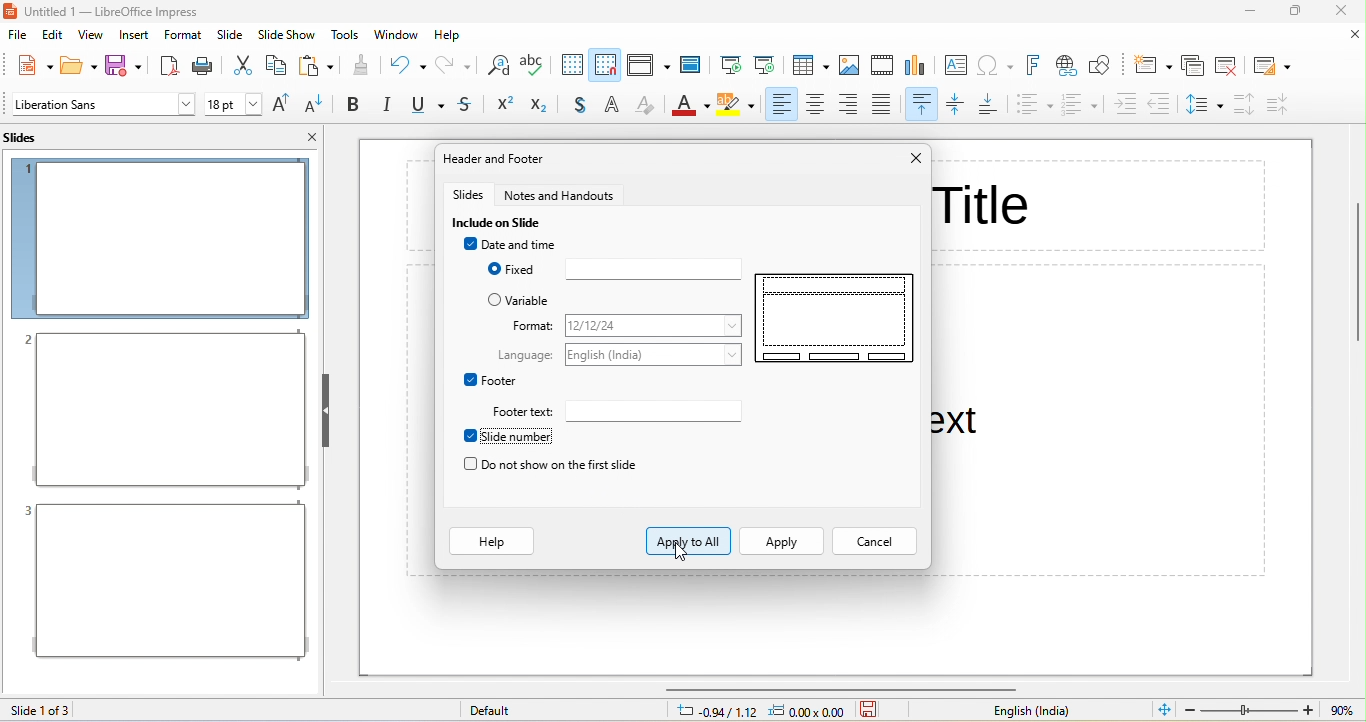  Describe the element at coordinates (1125, 105) in the screenshot. I see `increase indent` at that location.